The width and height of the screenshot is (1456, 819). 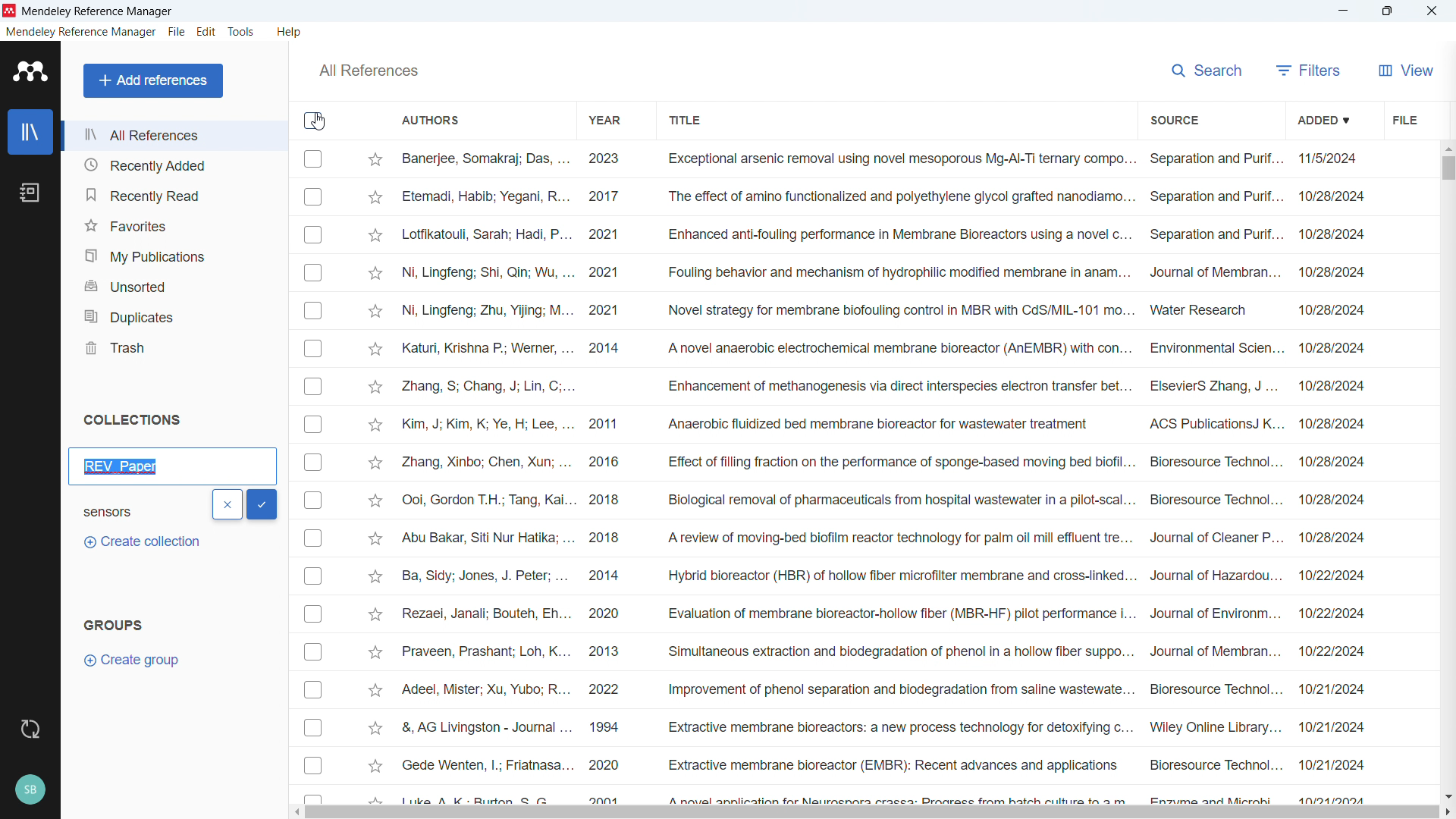 What do you see at coordinates (1404, 68) in the screenshot?
I see `view ` at bounding box center [1404, 68].